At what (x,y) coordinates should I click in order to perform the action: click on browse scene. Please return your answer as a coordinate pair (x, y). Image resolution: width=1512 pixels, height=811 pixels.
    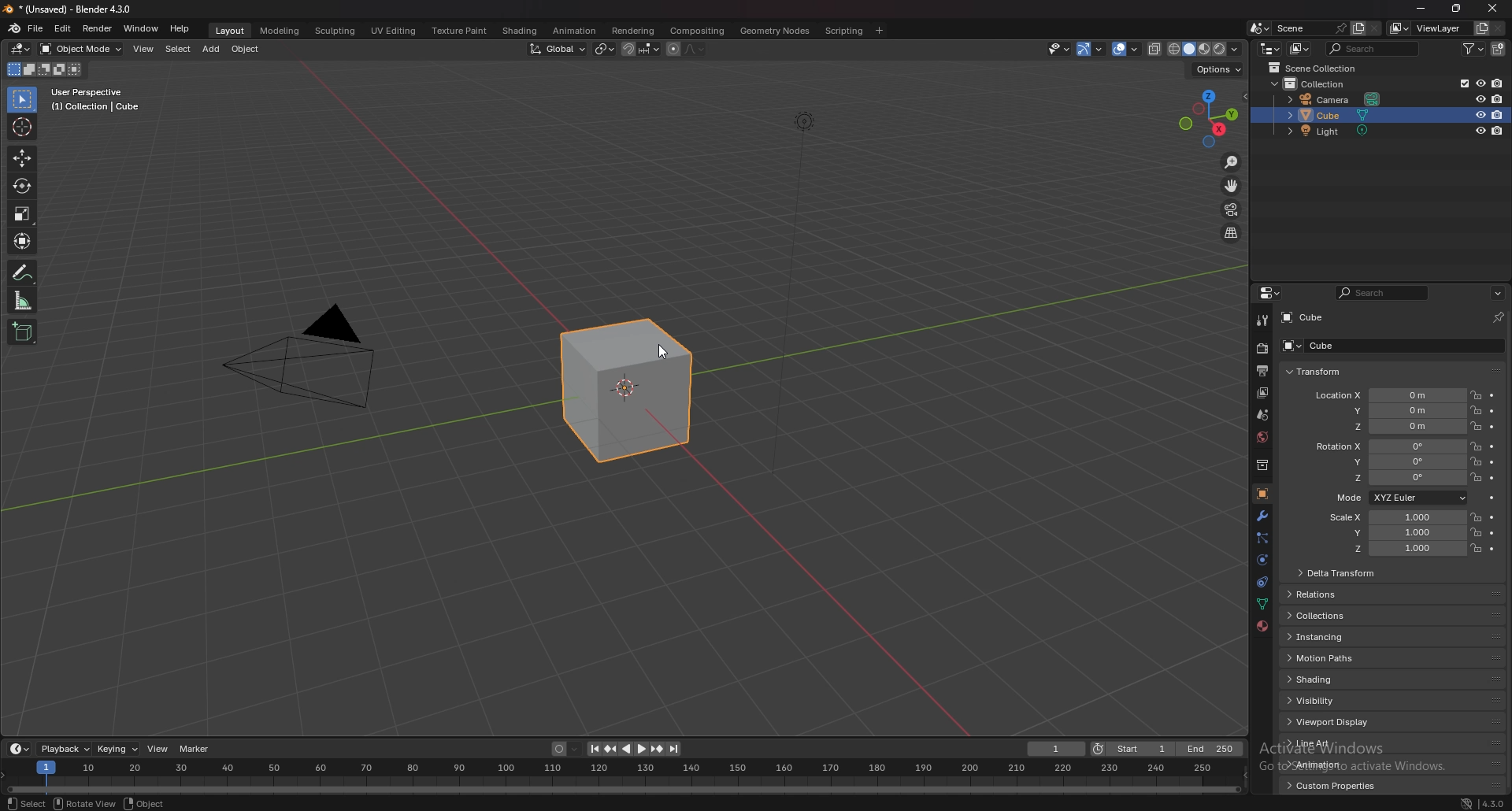
    Looking at the image, I should click on (1258, 28).